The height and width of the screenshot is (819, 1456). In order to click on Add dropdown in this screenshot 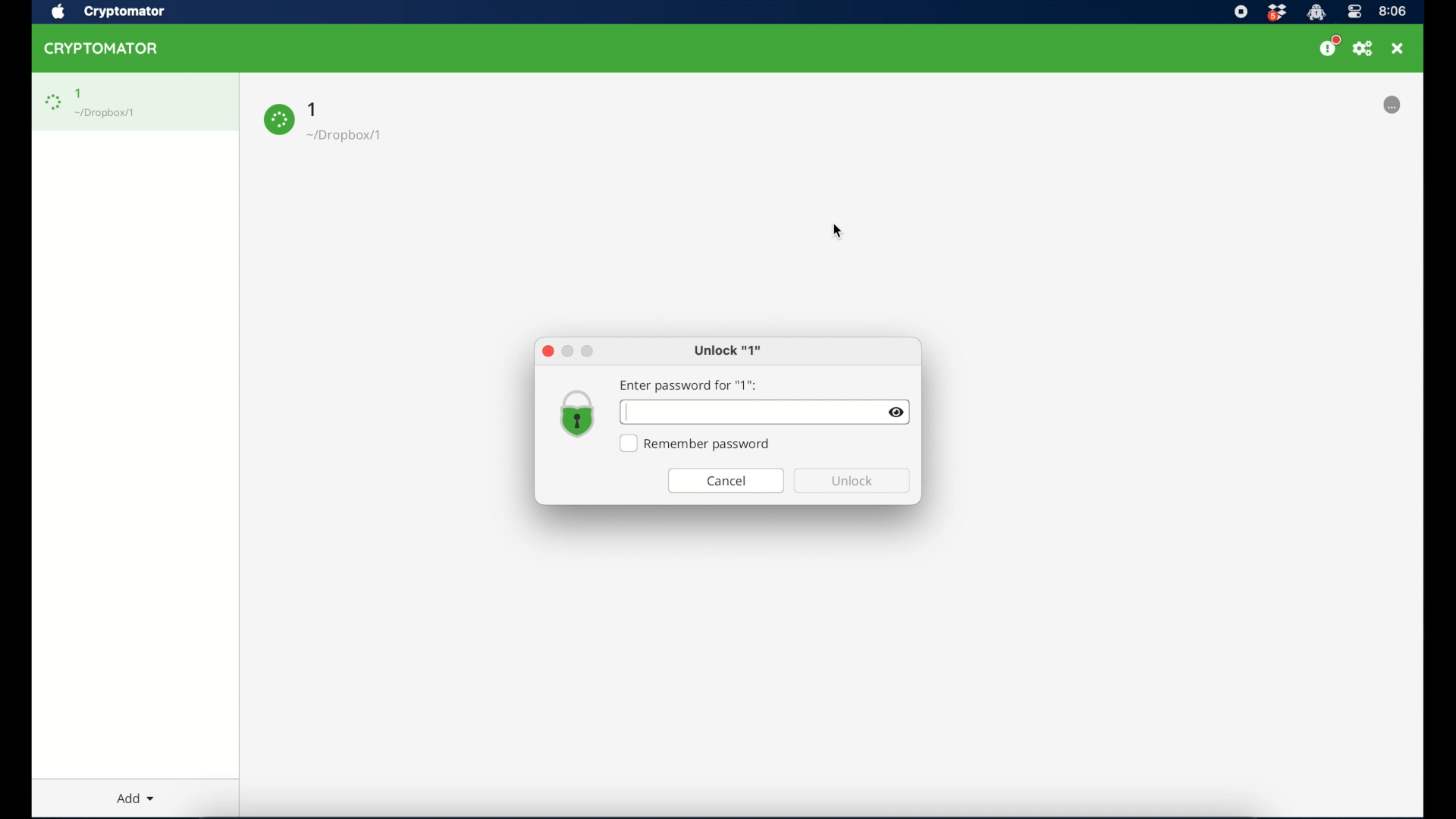, I will do `click(144, 799)`.